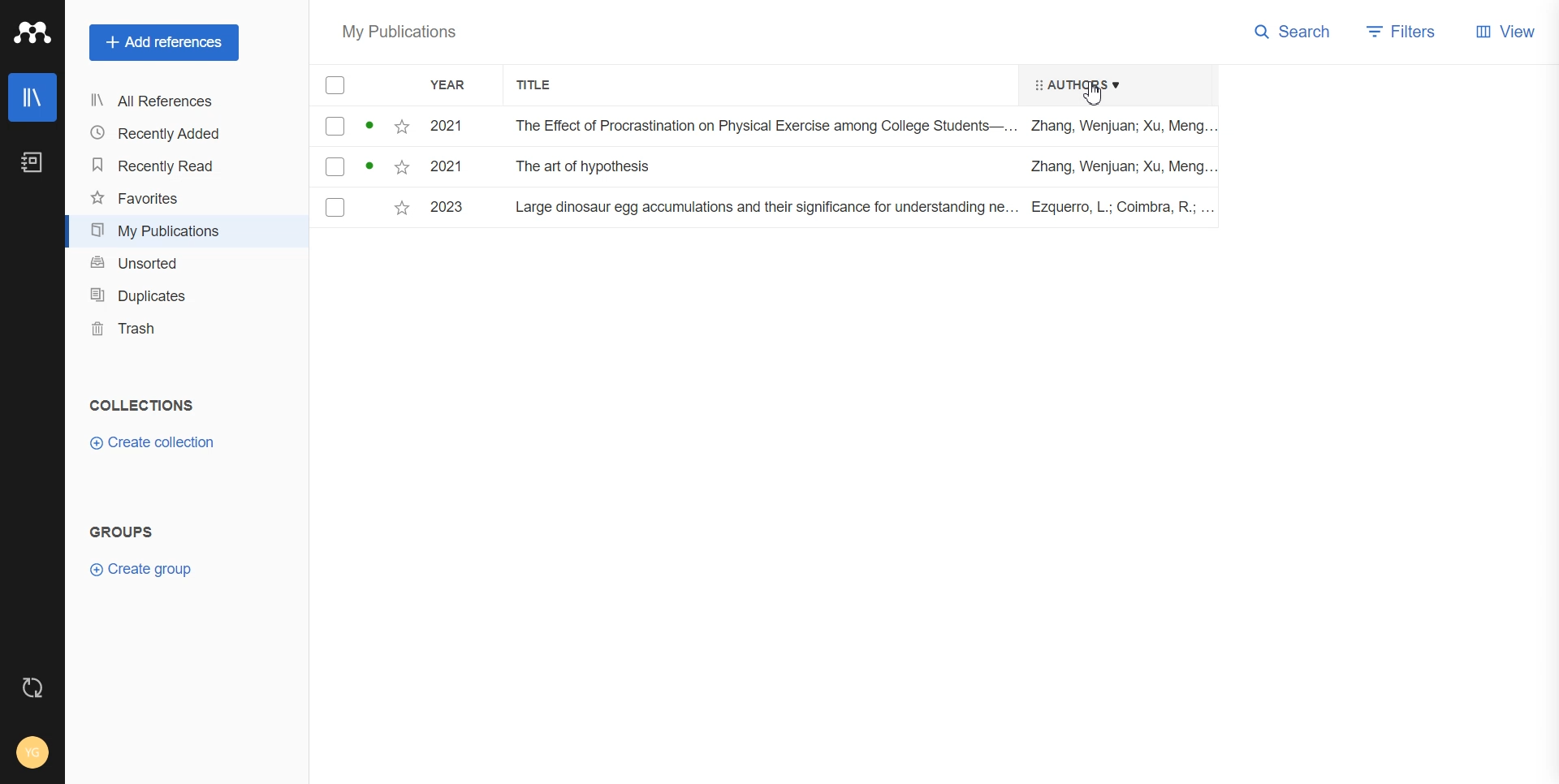 Image resolution: width=1559 pixels, height=784 pixels. What do you see at coordinates (458, 86) in the screenshot?
I see `Year` at bounding box center [458, 86].